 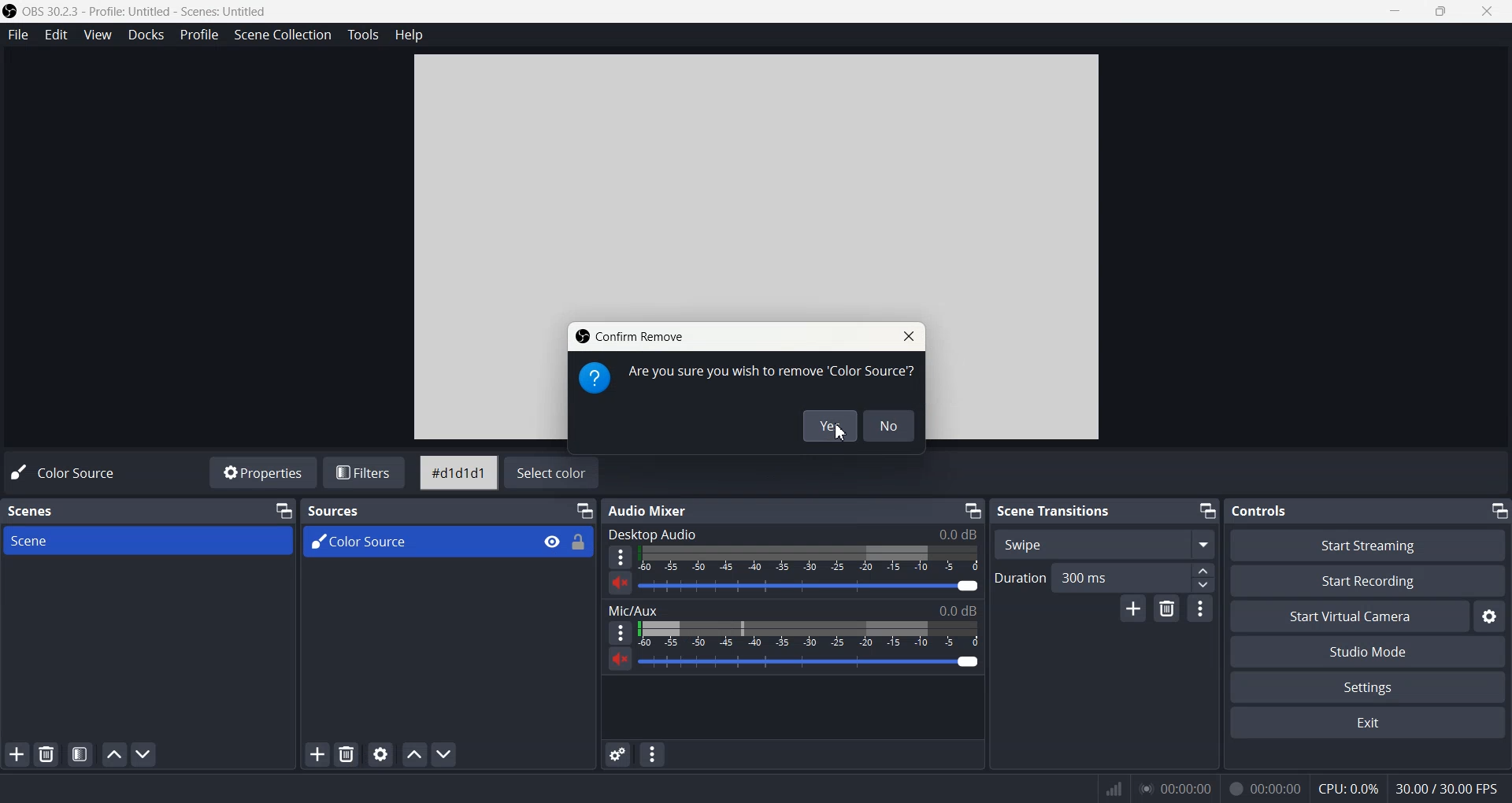 I want to click on Unmute/ Mute, so click(x=620, y=660).